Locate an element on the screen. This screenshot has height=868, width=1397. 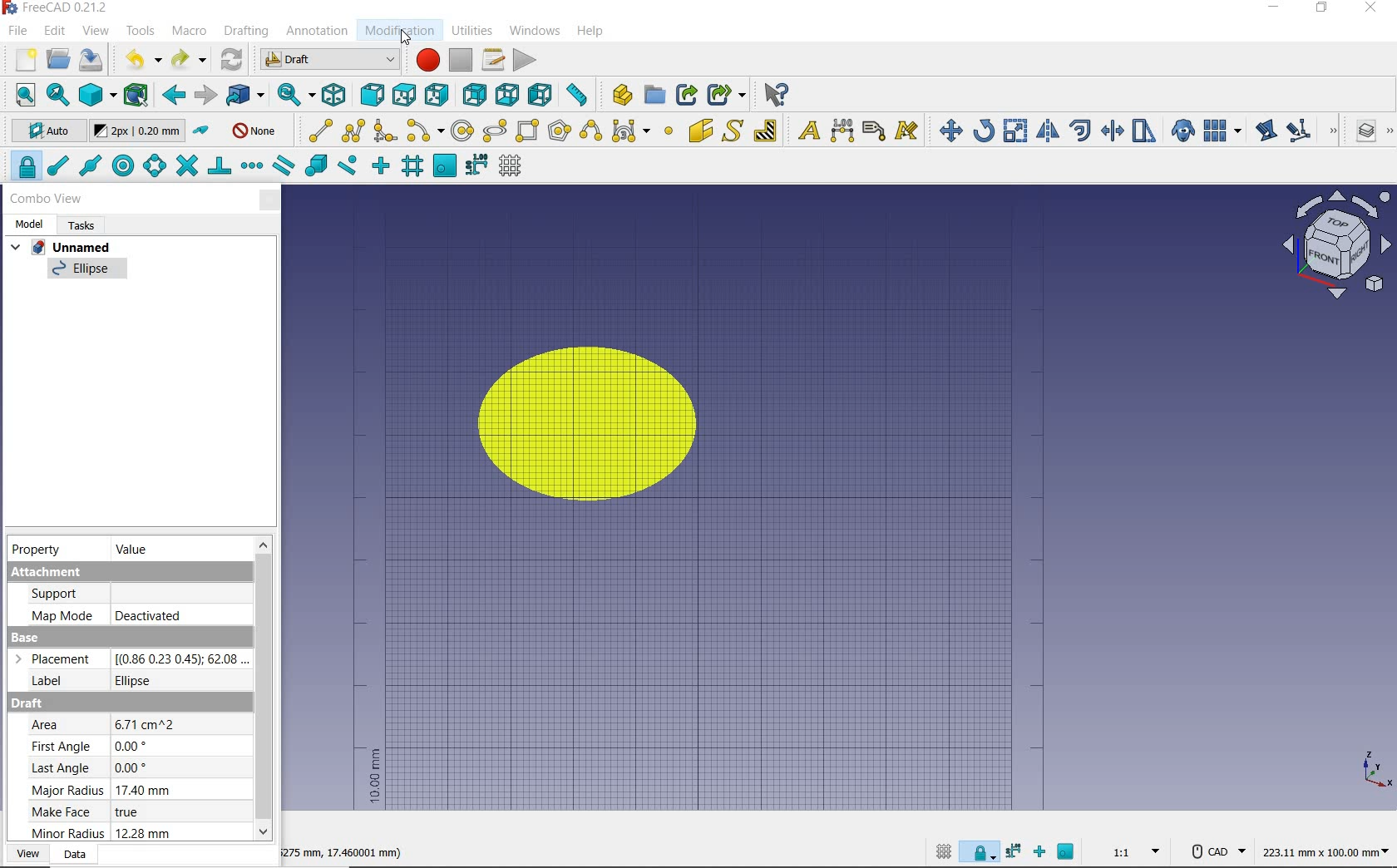
go to linked object is located at coordinates (244, 96).